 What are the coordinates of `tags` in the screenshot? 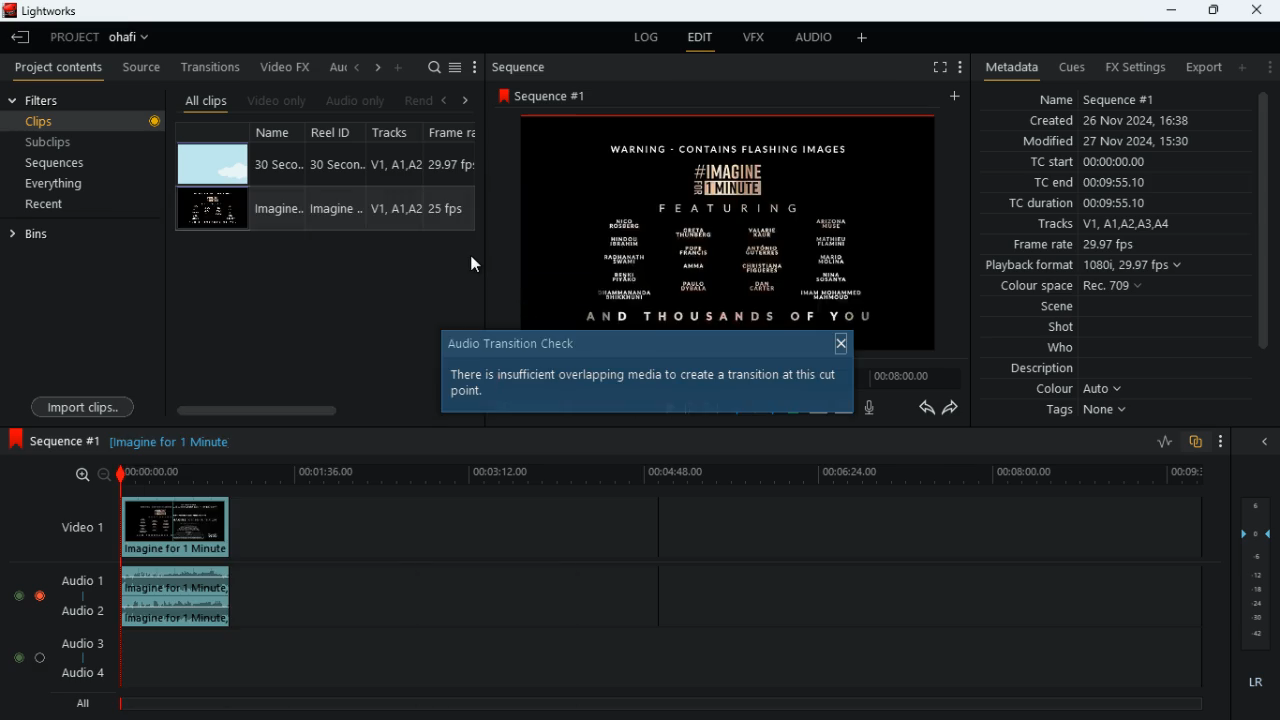 It's located at (1091, 411).